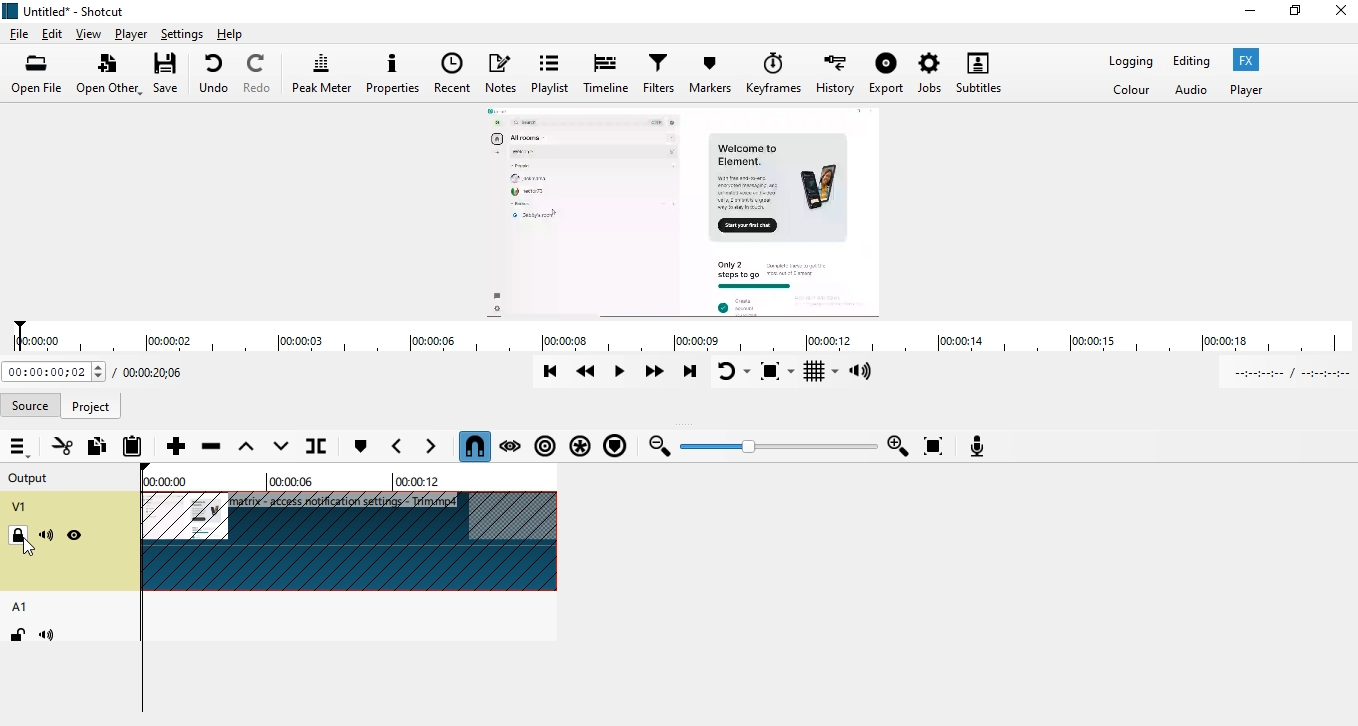  What do you see at coordinates (1194, 62) in the screenshot?
I see `editing` at bounding box center [1194, 62].